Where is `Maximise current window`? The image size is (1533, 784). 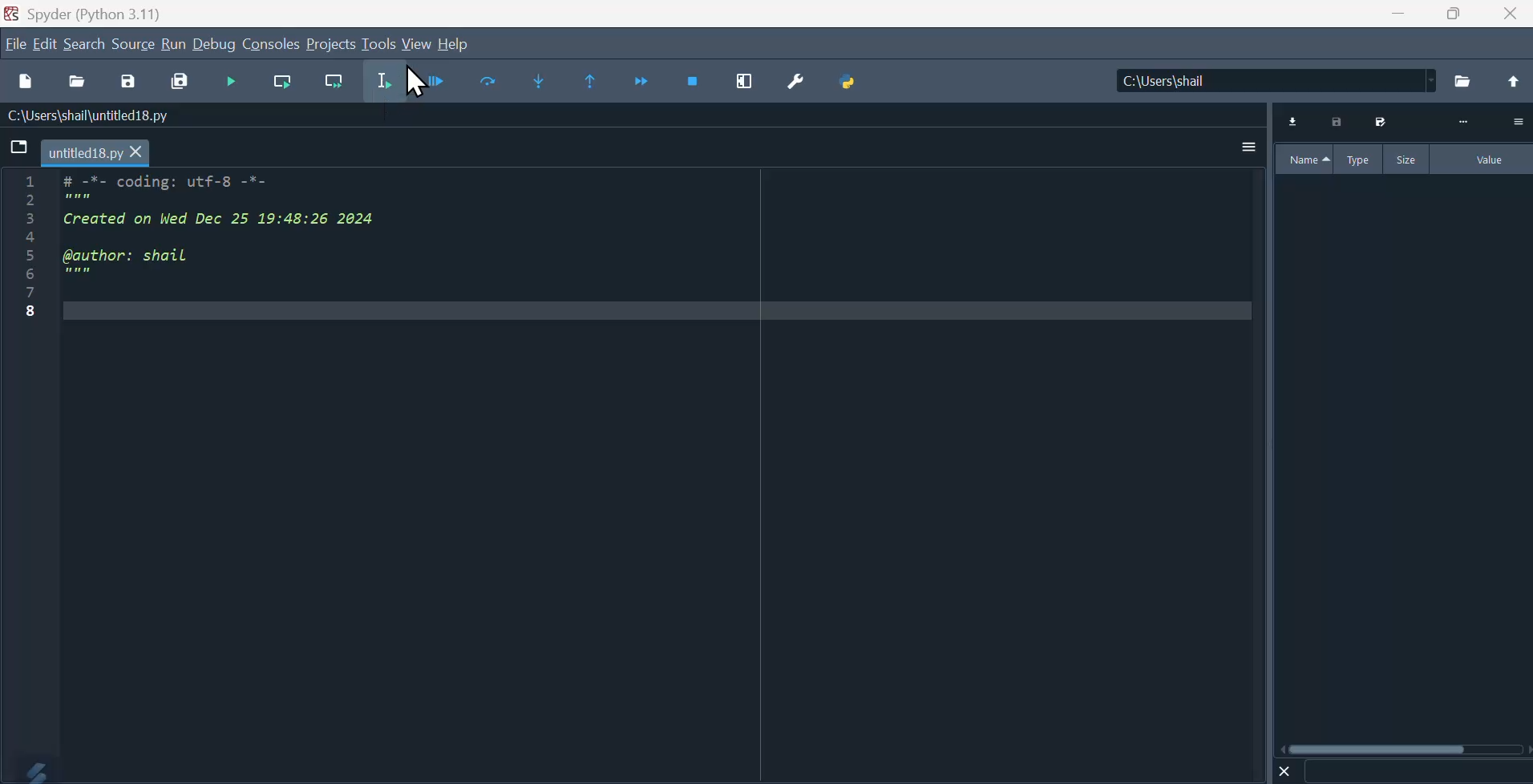 Maximise current window is located at coordinates (743, 83).